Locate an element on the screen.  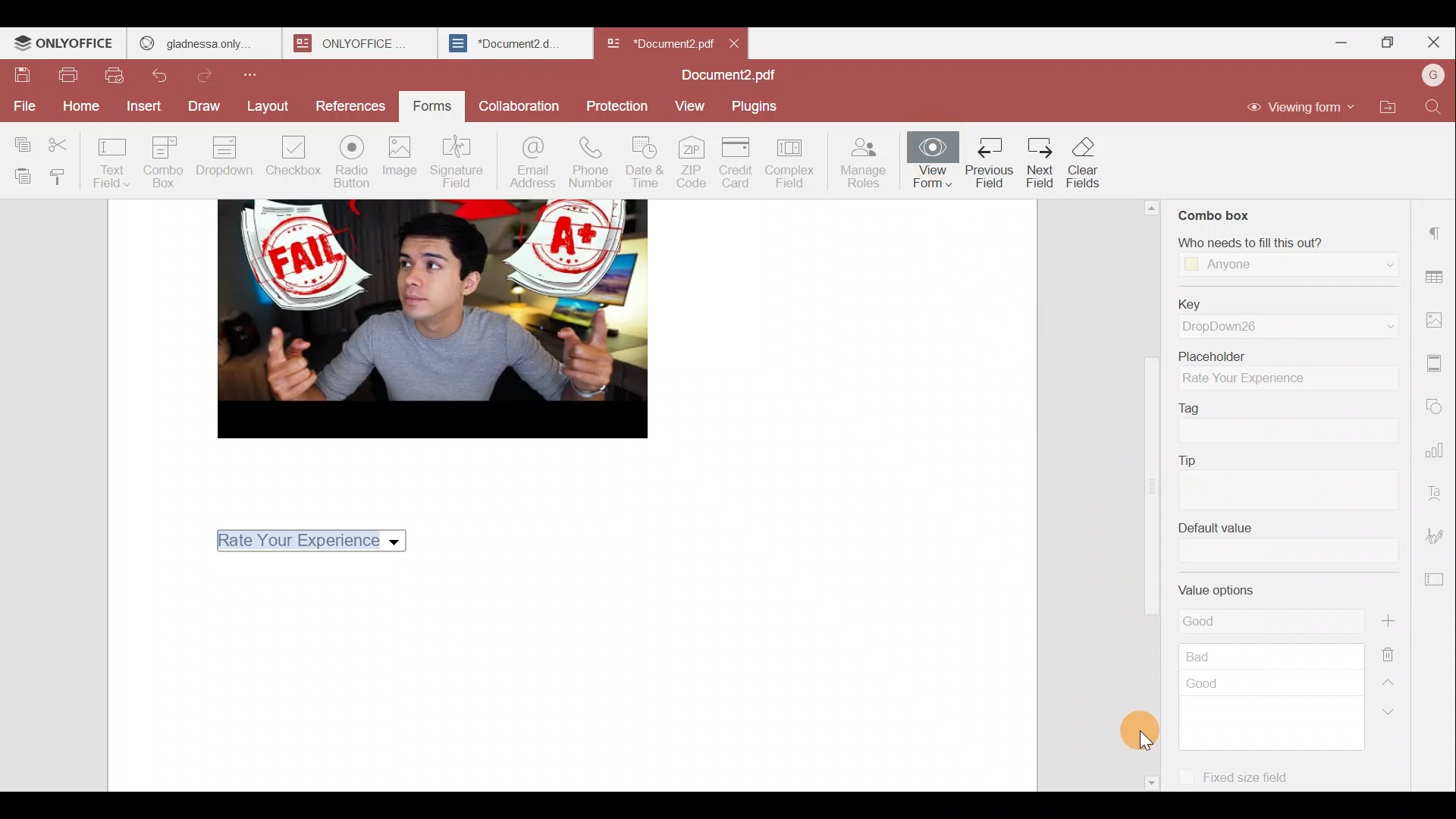
File is located at coordinates (21, 105).